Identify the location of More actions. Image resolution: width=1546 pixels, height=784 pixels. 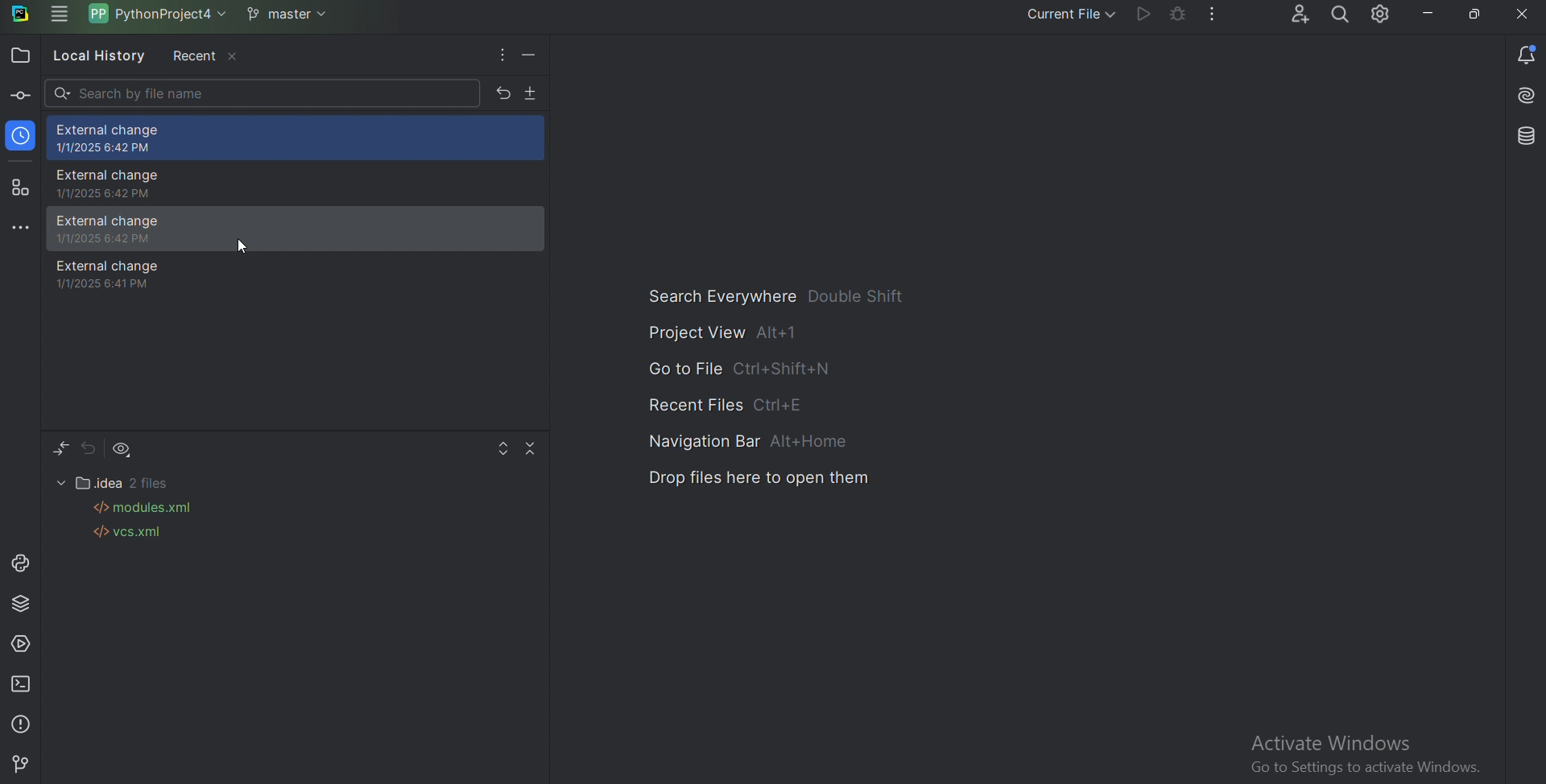
(1211, 15).